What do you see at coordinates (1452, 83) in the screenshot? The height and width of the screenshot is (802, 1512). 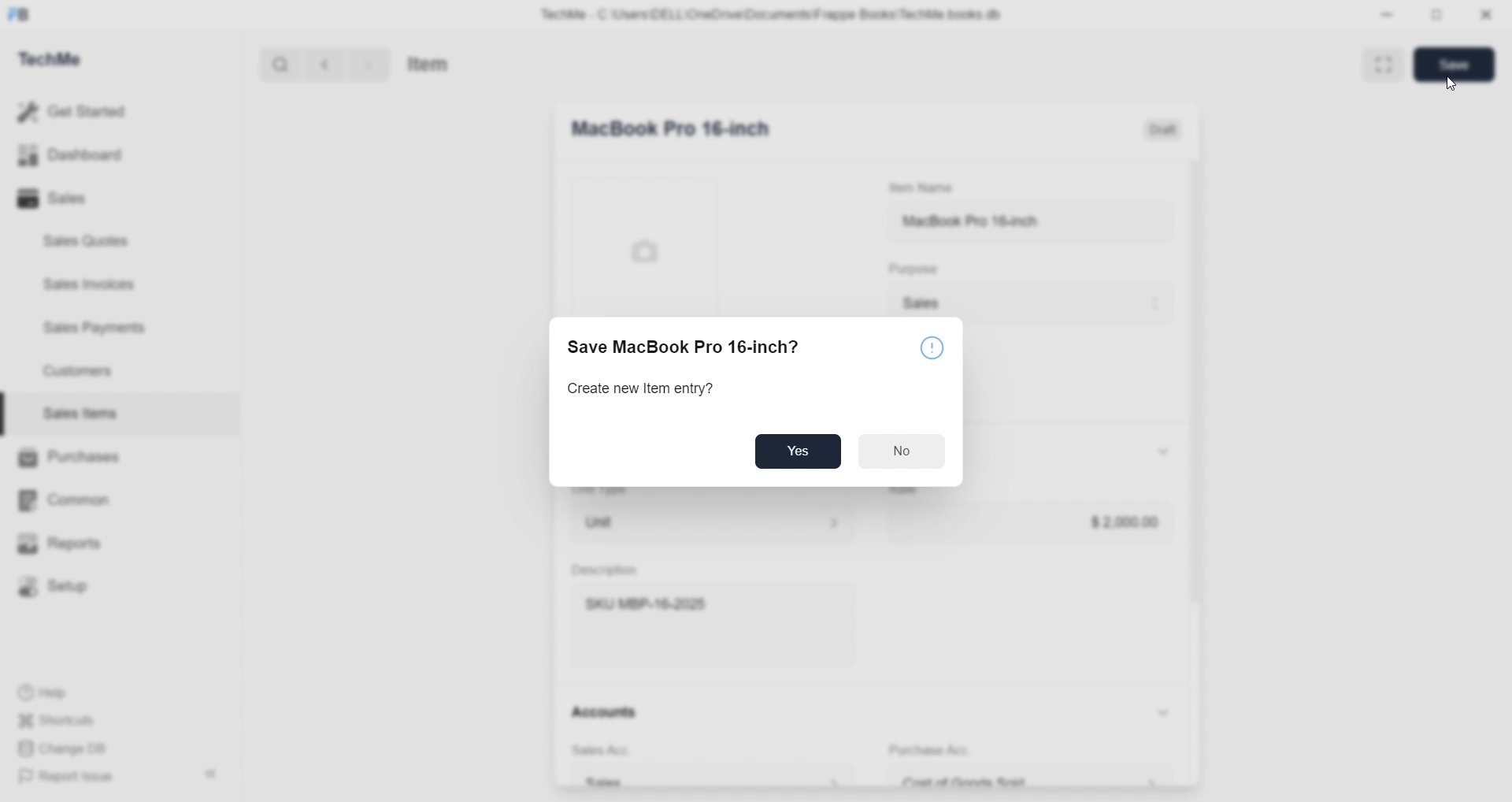 I see `cursor` at bounding box center [1452, 83].